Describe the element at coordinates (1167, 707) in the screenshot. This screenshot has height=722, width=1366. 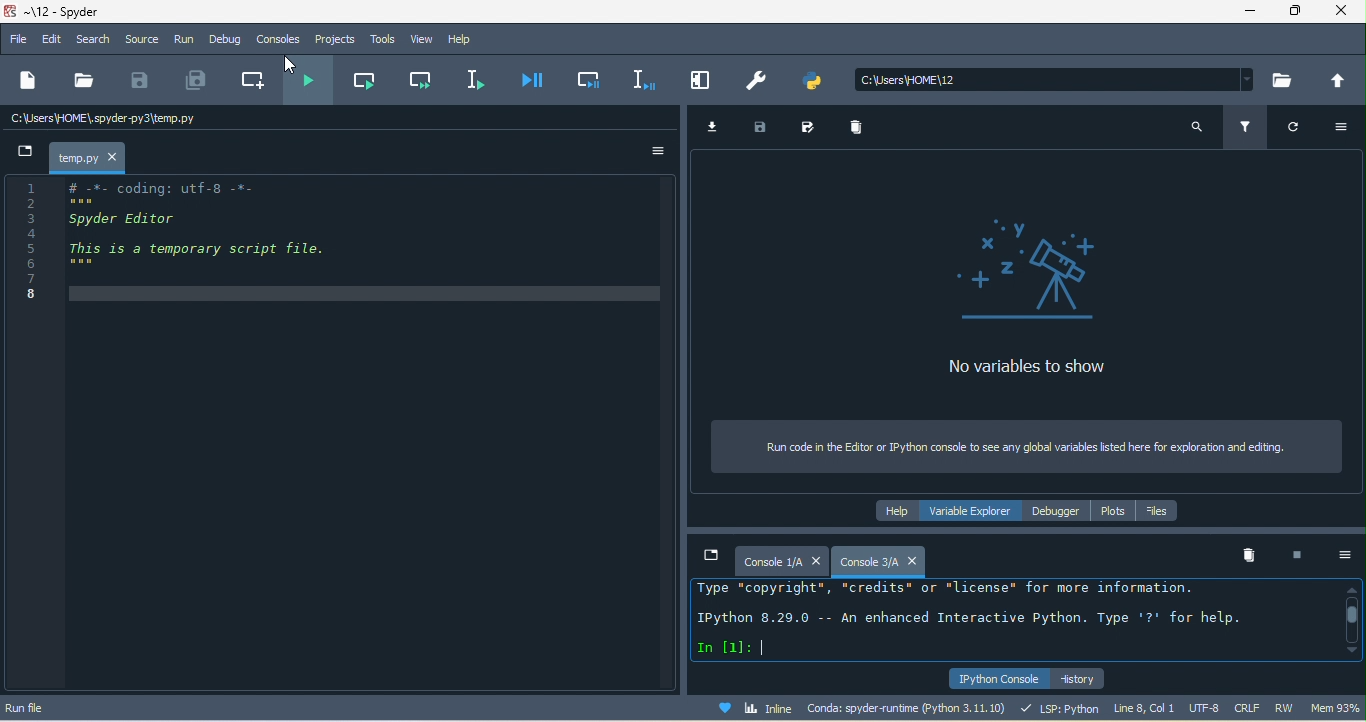
I see `line 8 col1 utf 8` at that location.